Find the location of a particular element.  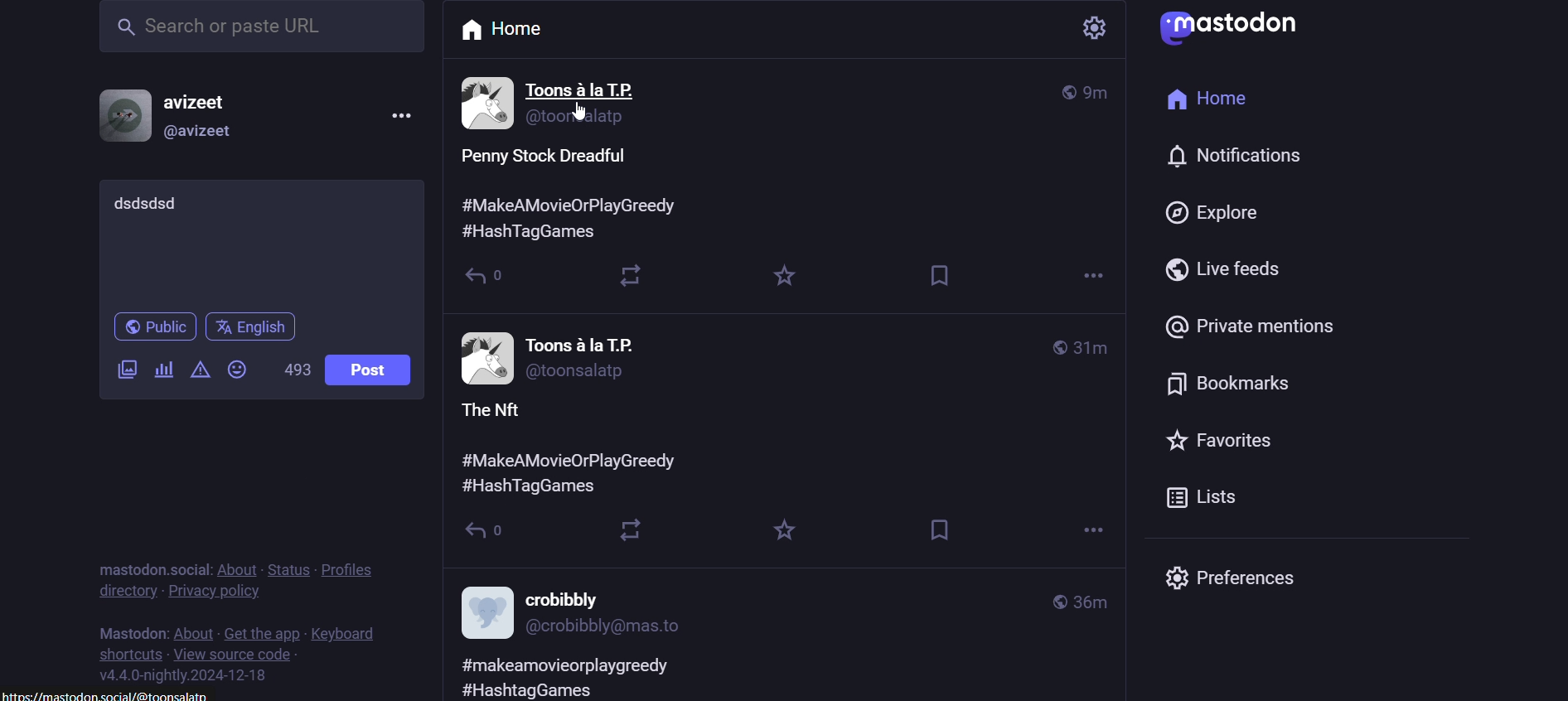

status is located at coordinates (288, 561).